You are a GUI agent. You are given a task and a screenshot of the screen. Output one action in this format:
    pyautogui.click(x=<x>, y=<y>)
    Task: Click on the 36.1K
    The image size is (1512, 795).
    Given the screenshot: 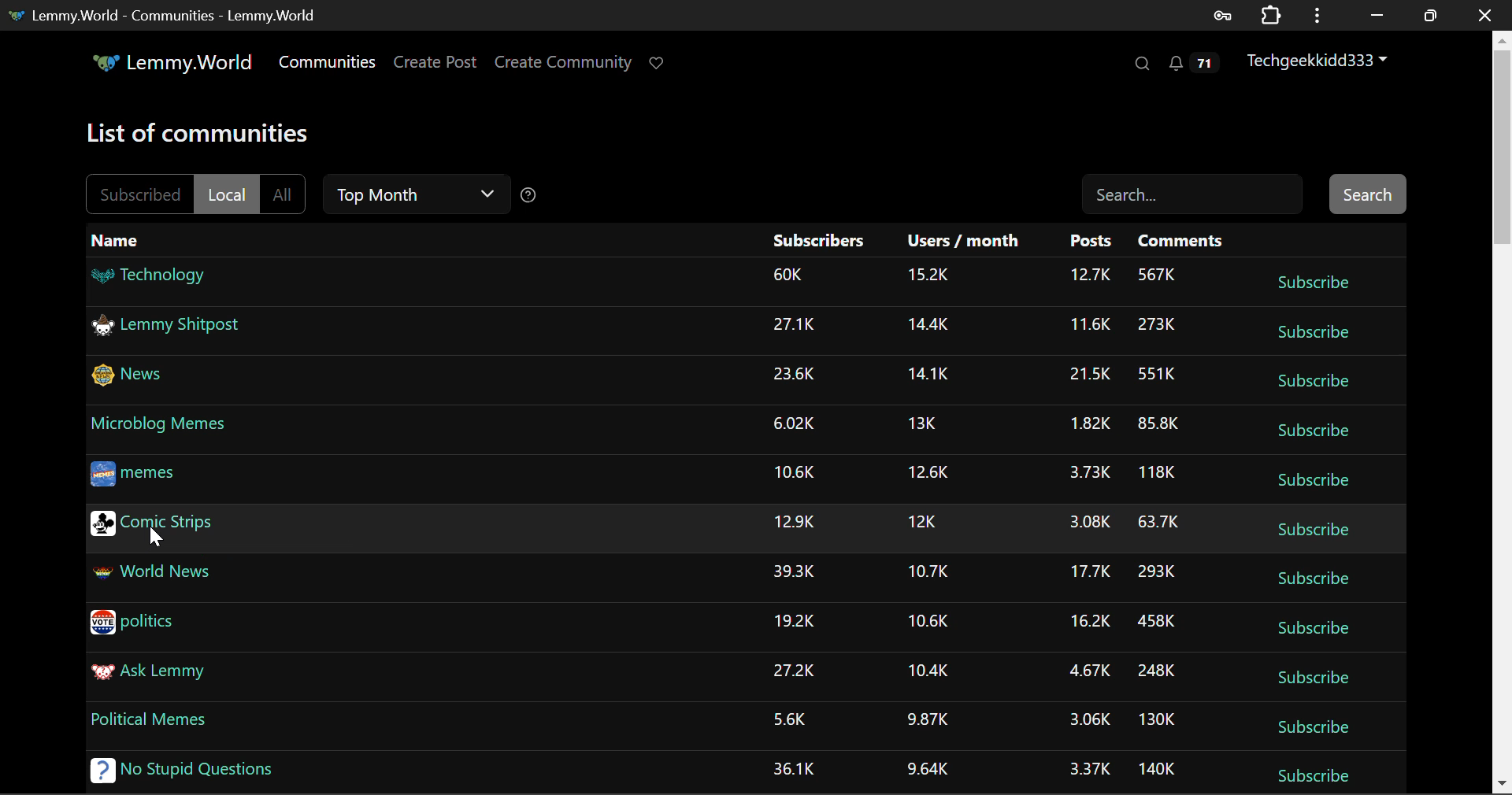 What is the action you would take?
    pyautogui.click(x=793, y=770)
    